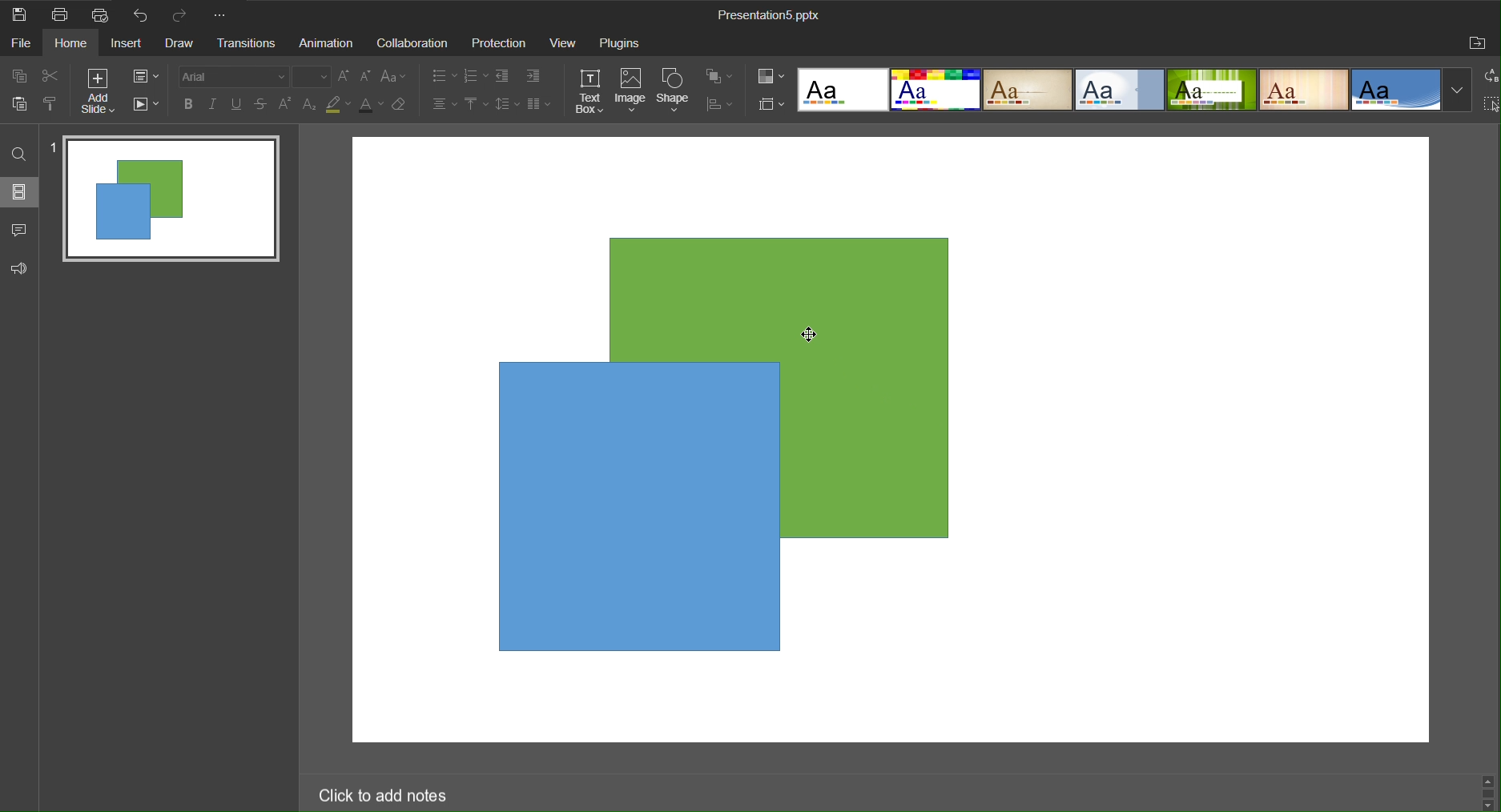  What do you see at coordinates (812, 336) in the screenshot?
I see `Cursor` at bounding box center [812, 336].